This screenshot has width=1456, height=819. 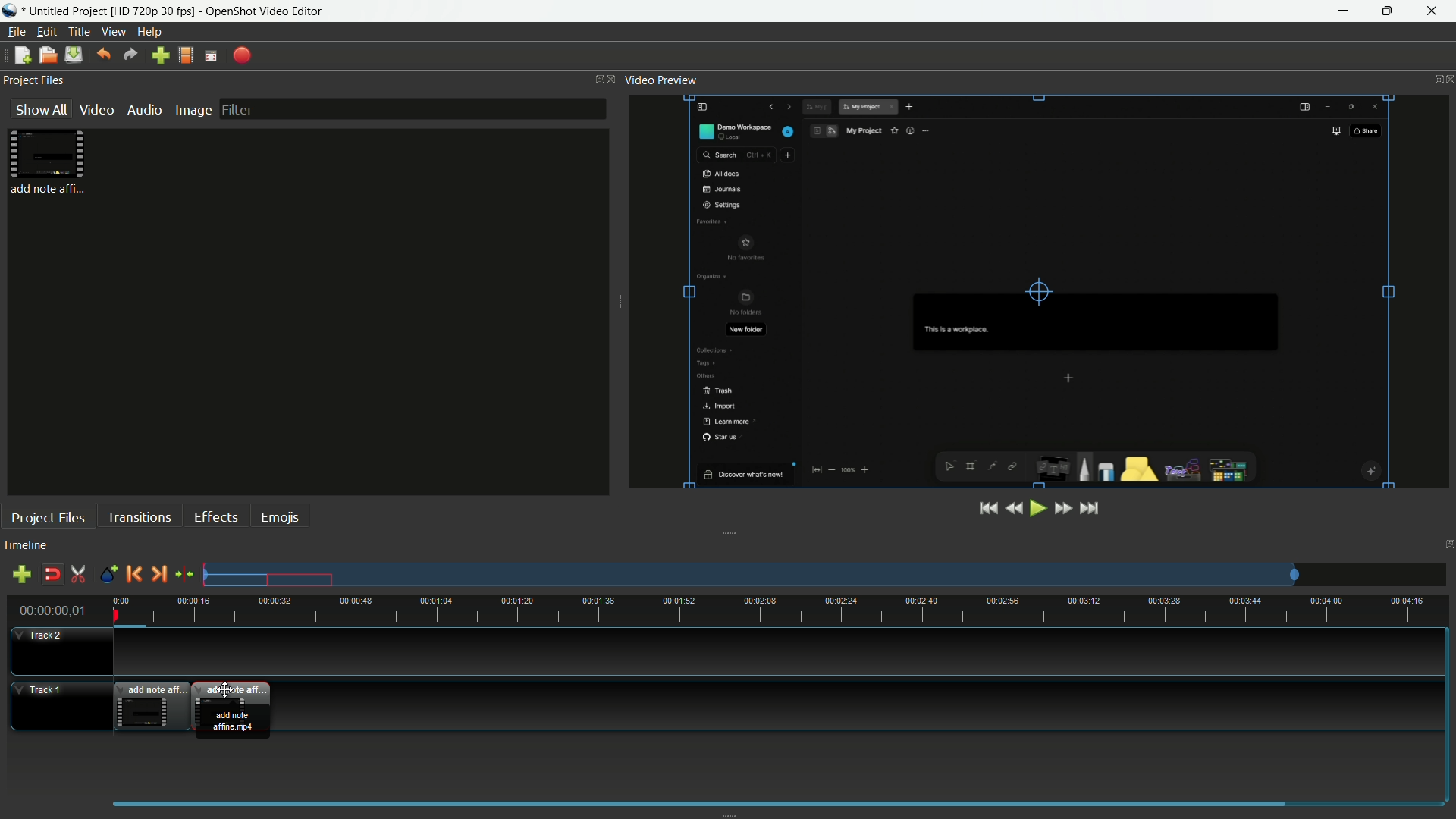 What do you see at coordinates (267, 11) in the screenshot?
I see `app name` at bounding box center [267, 11].